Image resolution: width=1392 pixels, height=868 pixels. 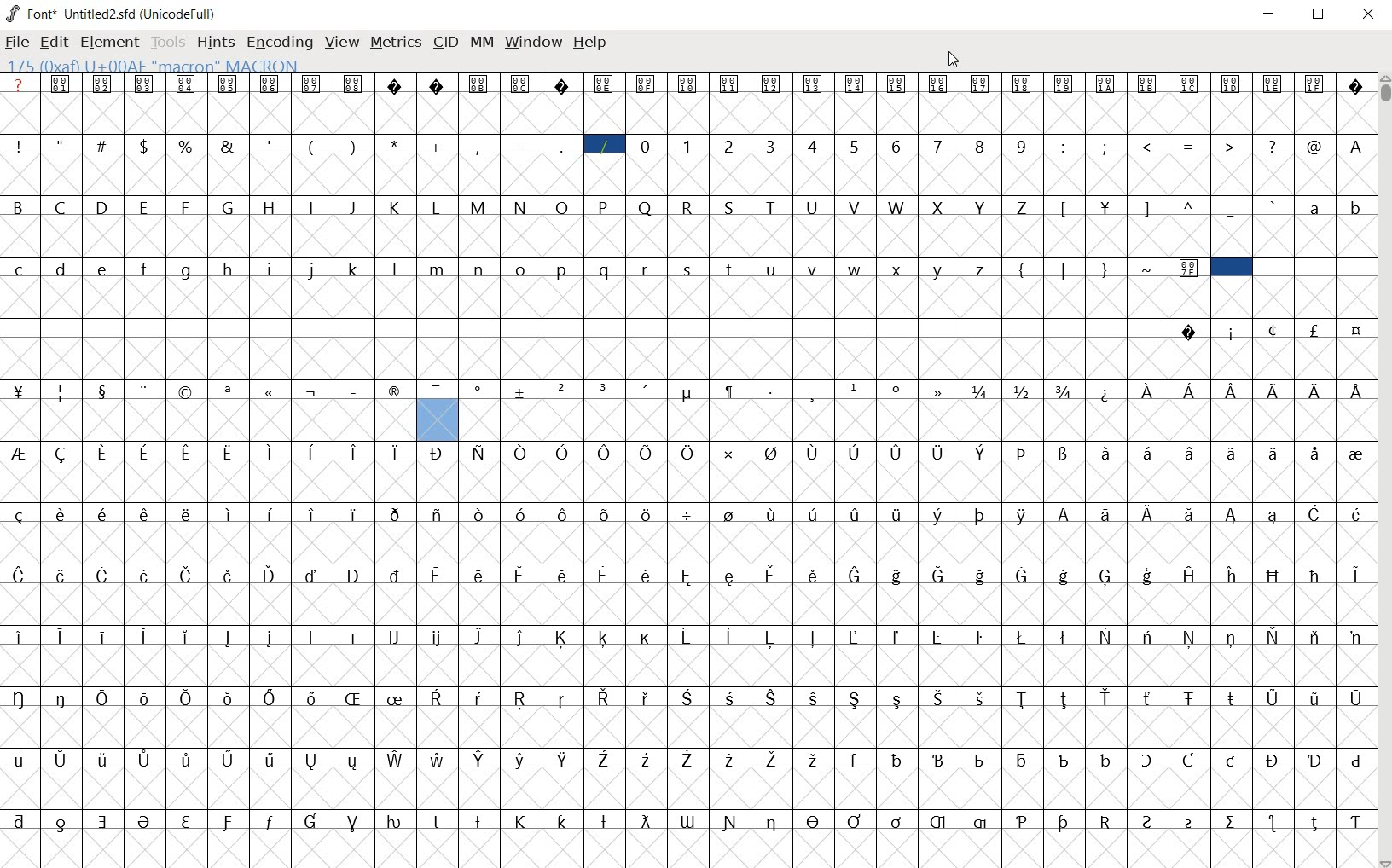 What do you see at coordinates (1192, 145) in the screenshot?
I see `=` at bounding box center [1192, 145].